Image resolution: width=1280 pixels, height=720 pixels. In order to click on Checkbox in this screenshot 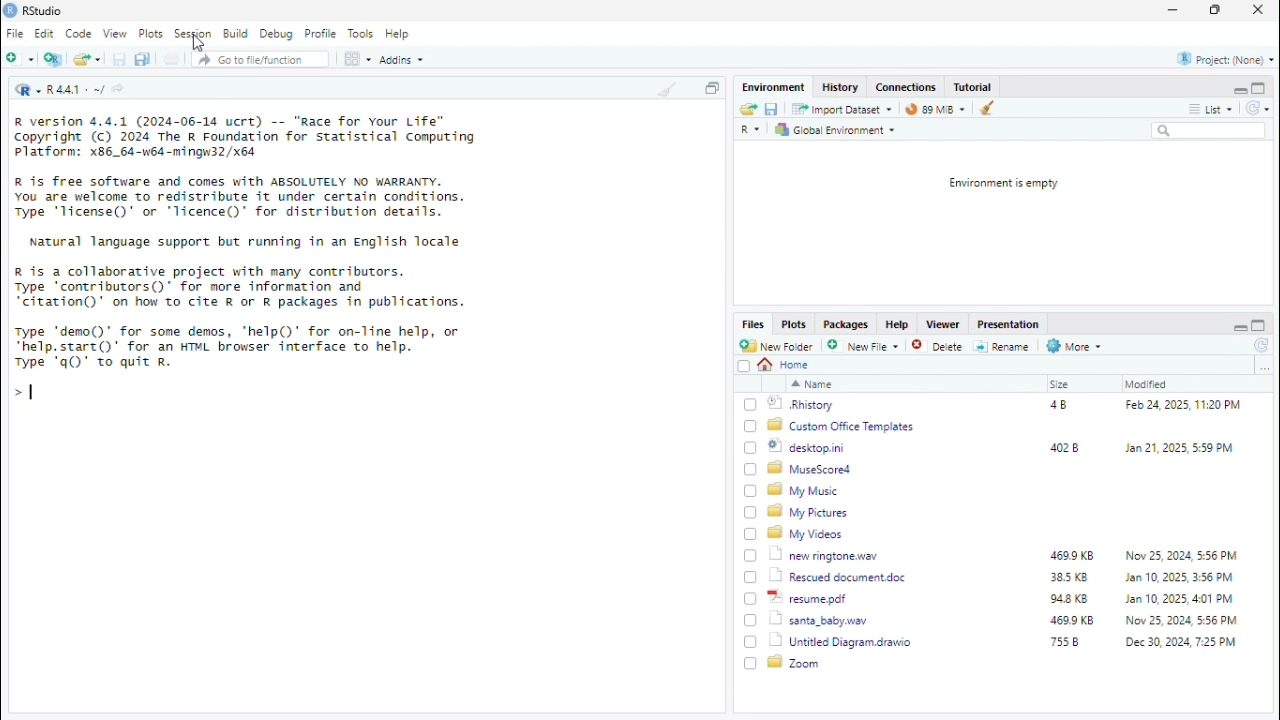, I will do `click(751, 663)`.